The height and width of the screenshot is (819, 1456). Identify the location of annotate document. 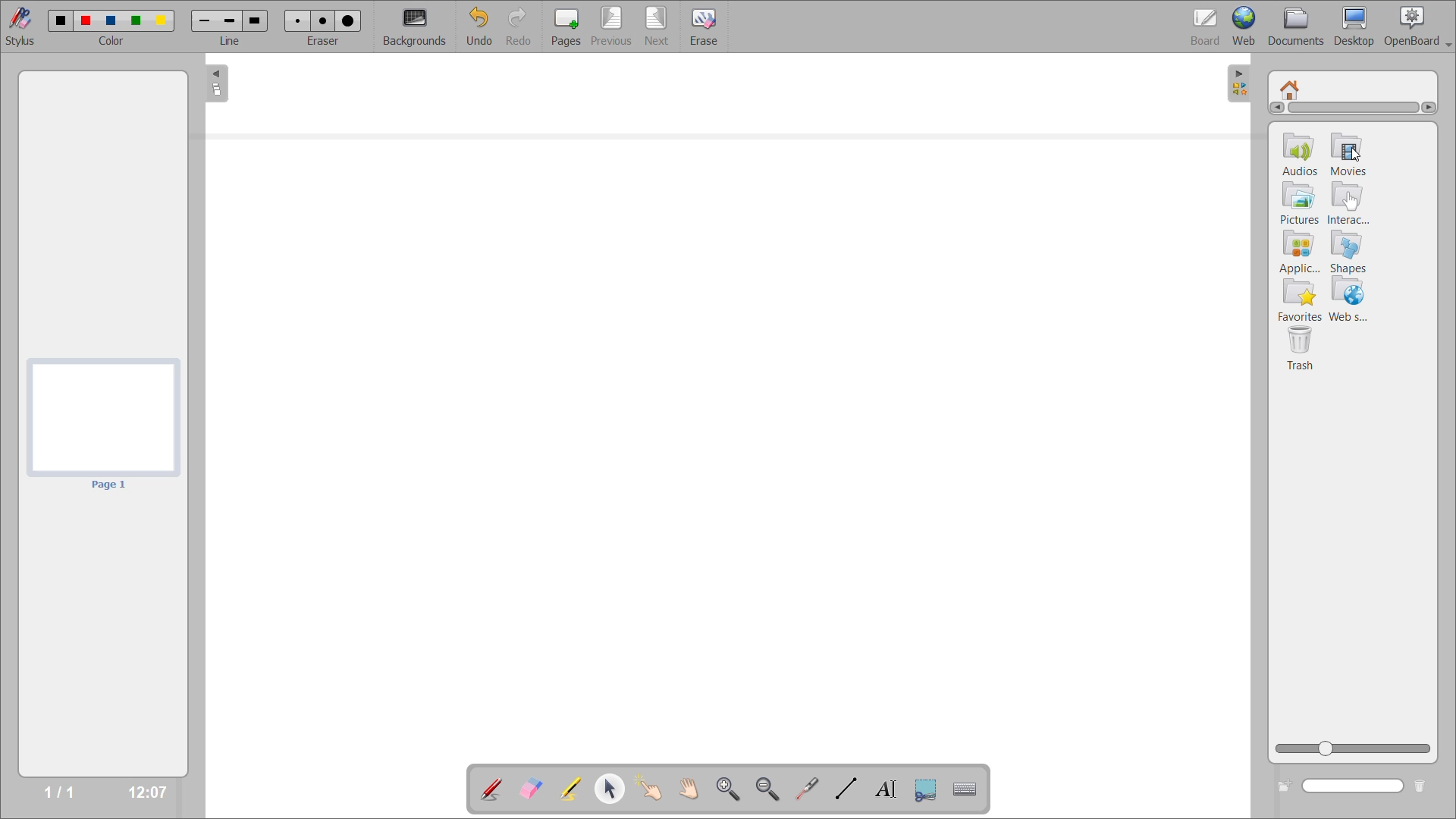
(491, 788).